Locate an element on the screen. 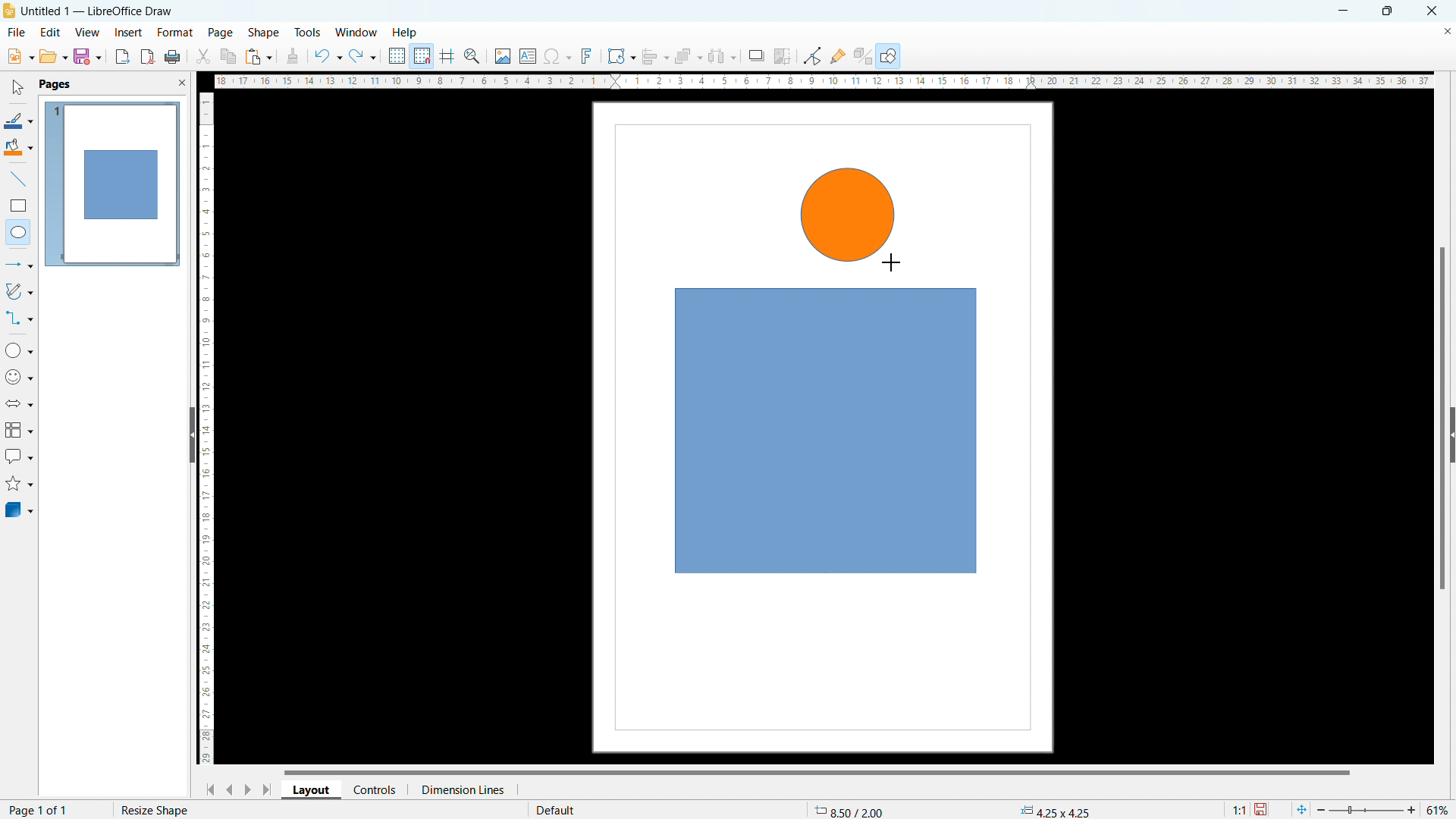 Image resolution: width=1456 pixels, height=819 pixels. basic shapes is located at coordinates (19, 350).